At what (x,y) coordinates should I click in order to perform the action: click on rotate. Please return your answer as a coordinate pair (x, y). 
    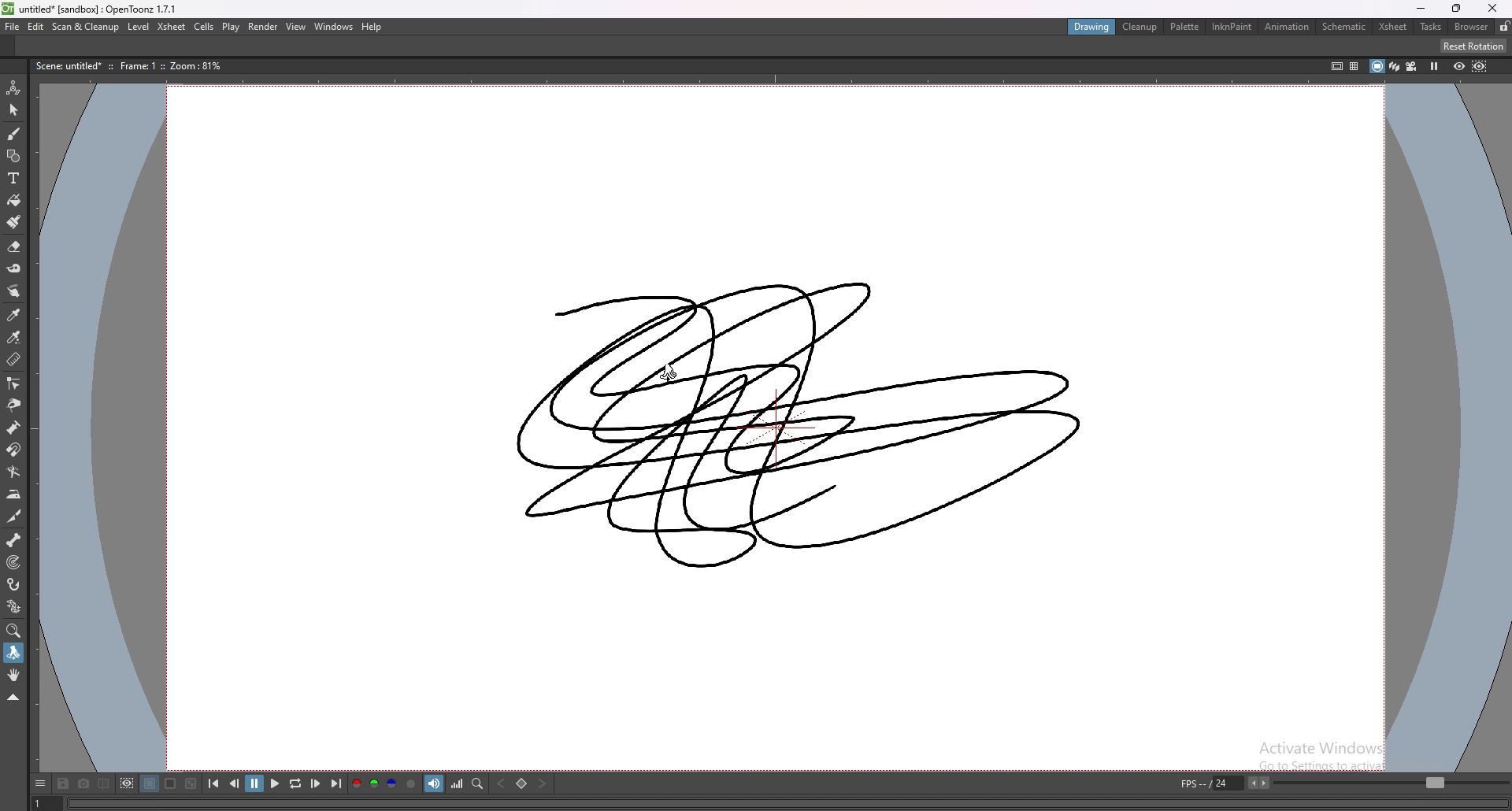
    Looking at the image, I should click on (13, 654).